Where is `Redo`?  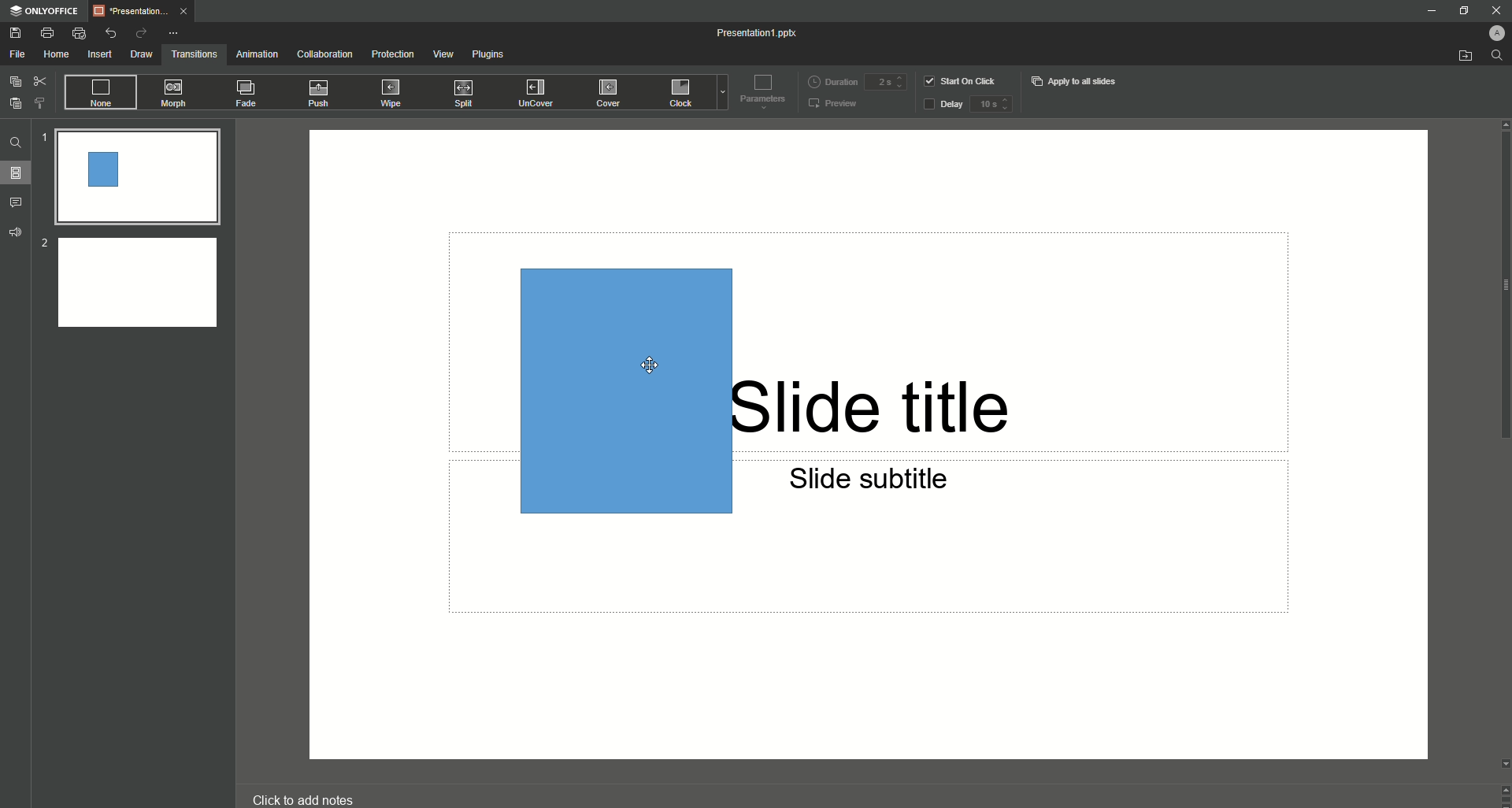
Redo is located at coordinates (143, 33).